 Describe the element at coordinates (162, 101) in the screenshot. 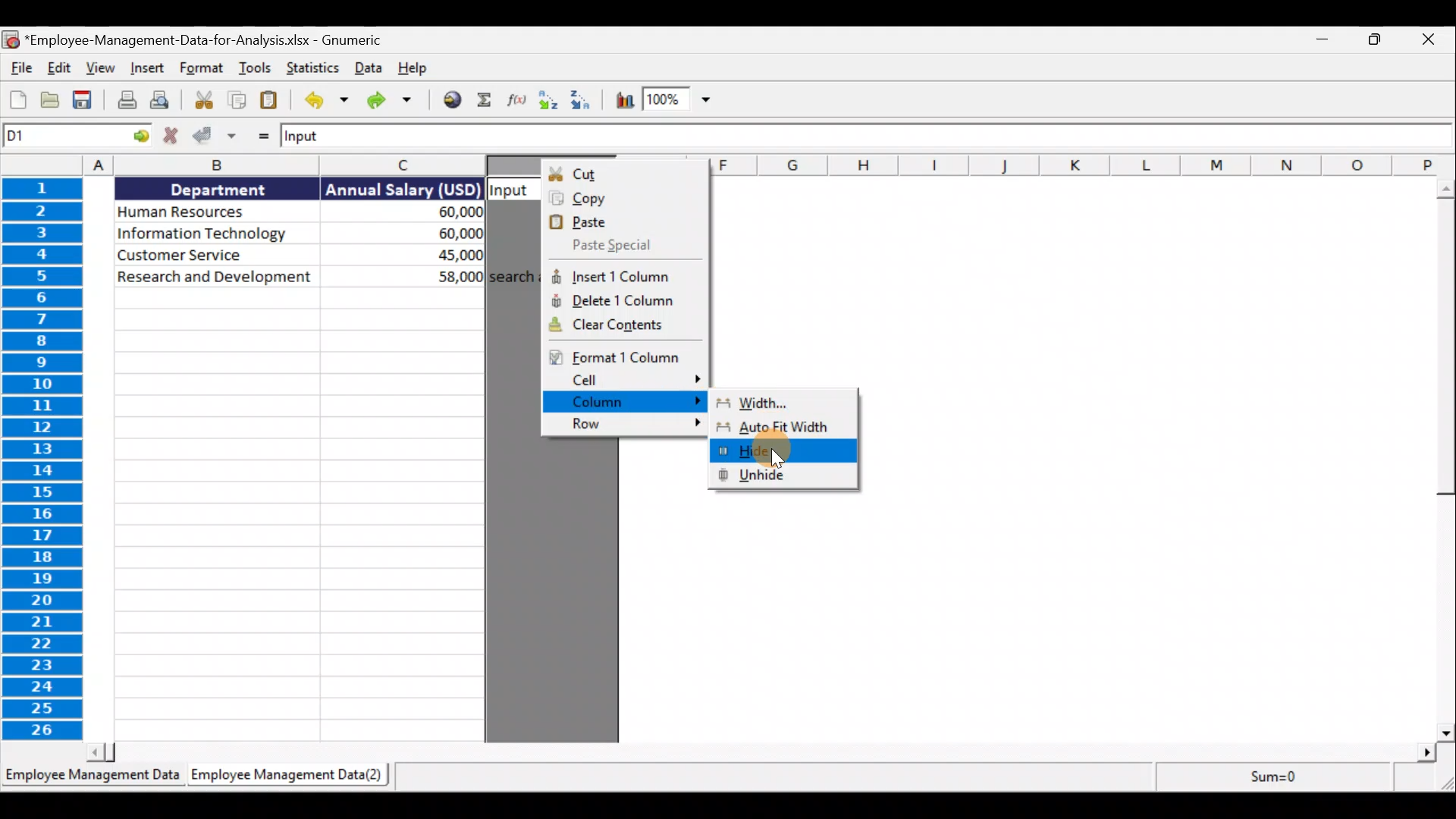

I see `Print preview` at that location.